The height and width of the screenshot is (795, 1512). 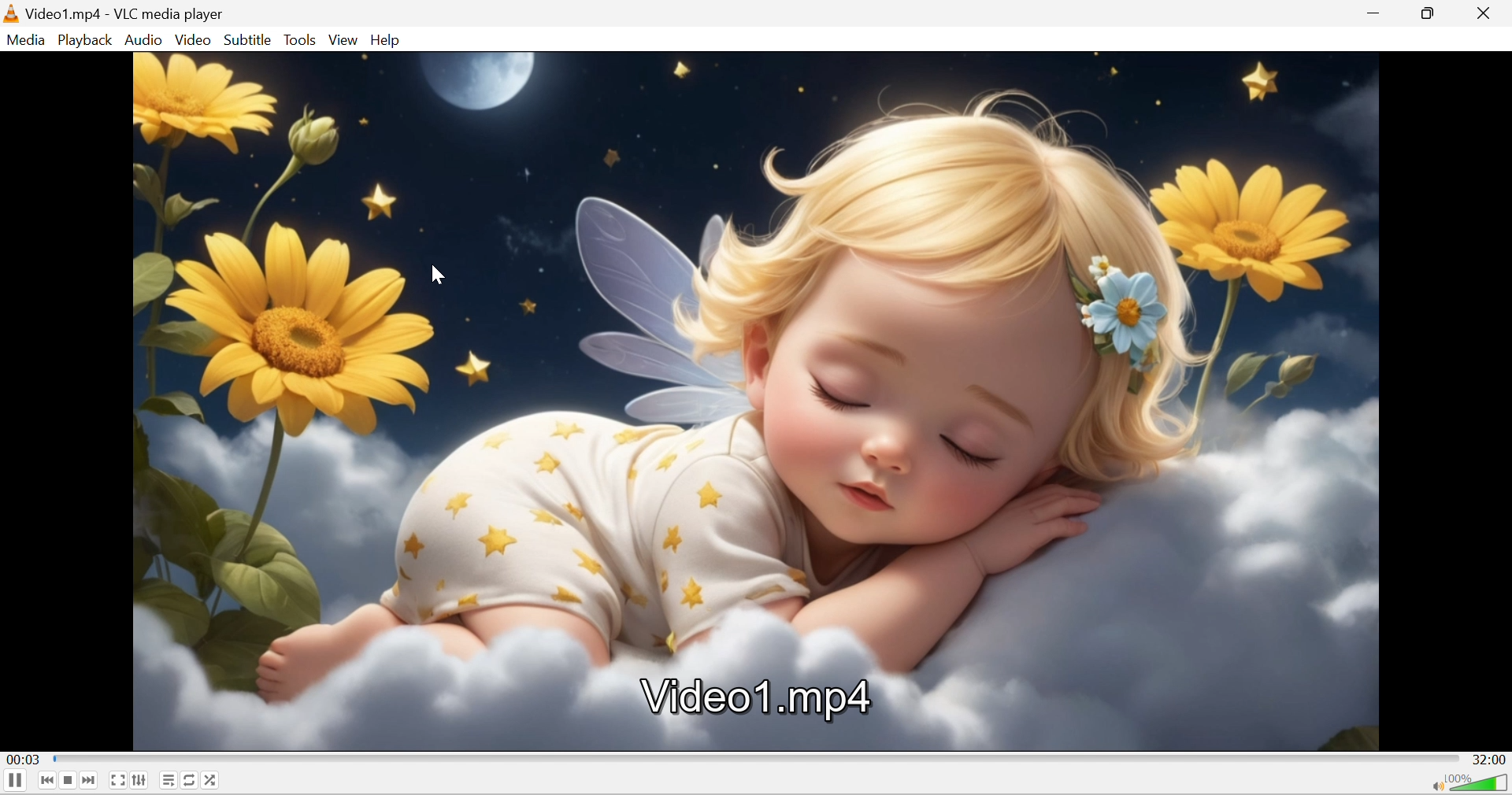 What do you see at coordinates (345, 41) in the screenshot?
I see `View` at bounding box center [345, 41].